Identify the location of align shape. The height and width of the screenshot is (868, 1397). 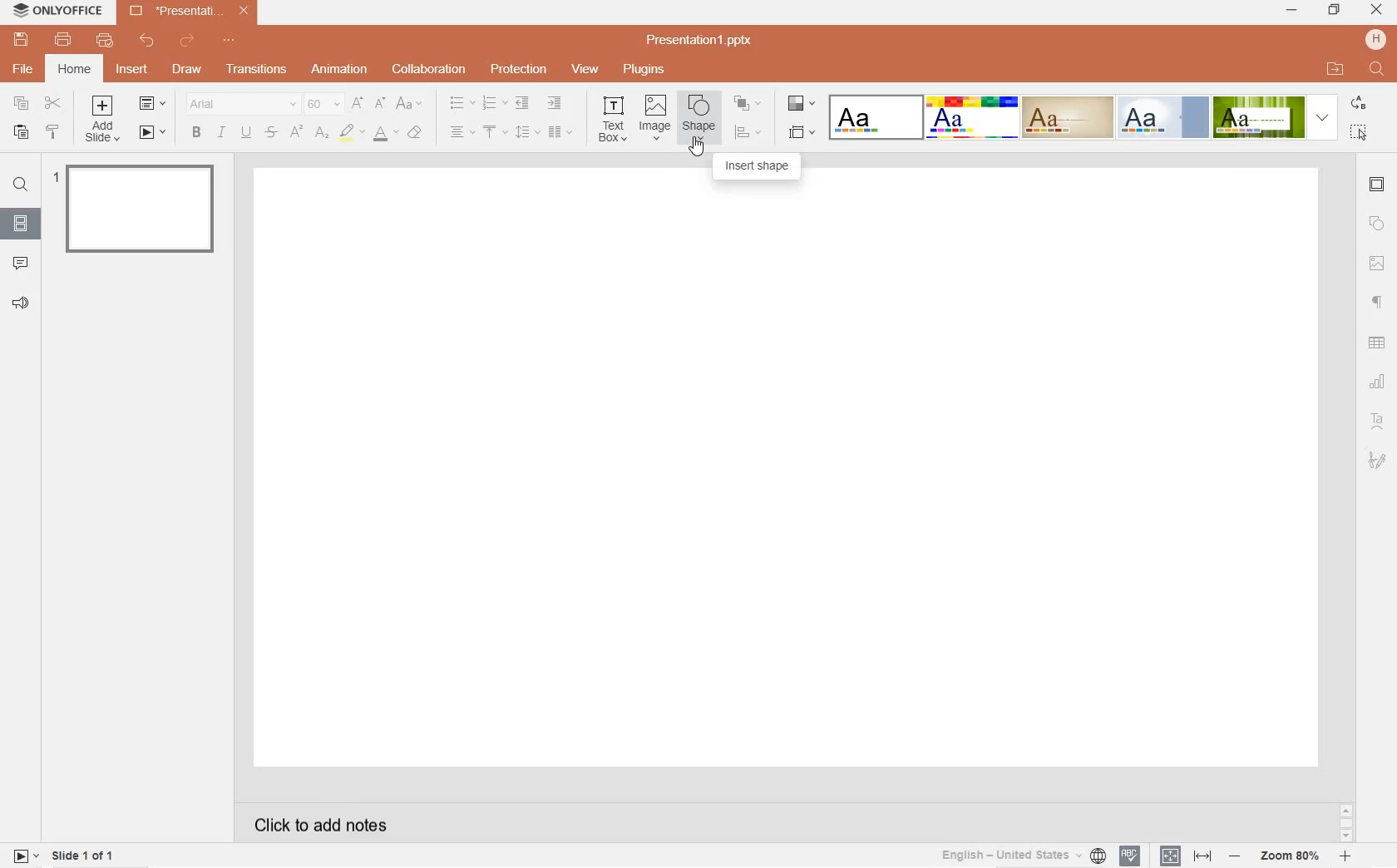
(748, 132).